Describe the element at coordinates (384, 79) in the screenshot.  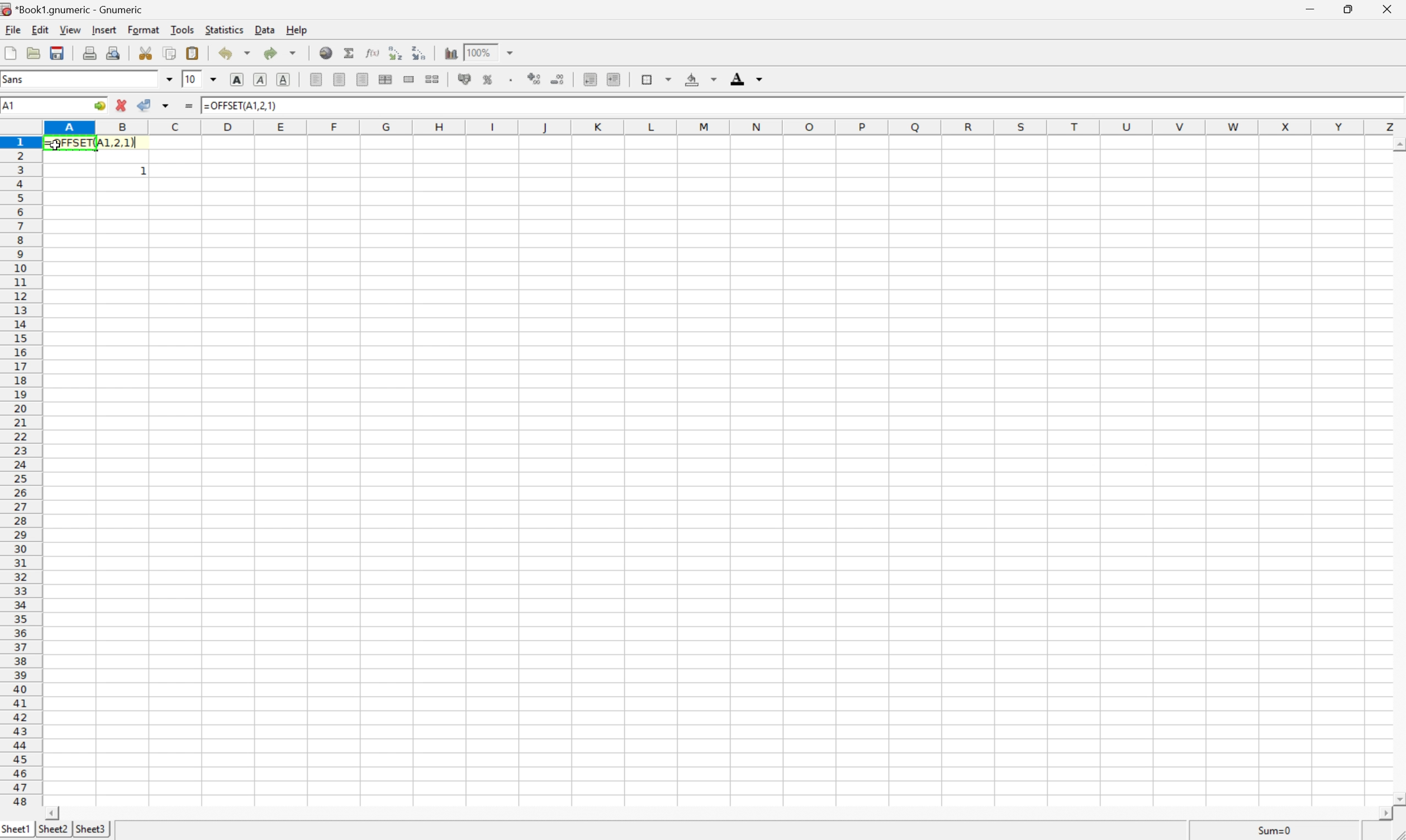
I see `center horizontally across selection` at that location.